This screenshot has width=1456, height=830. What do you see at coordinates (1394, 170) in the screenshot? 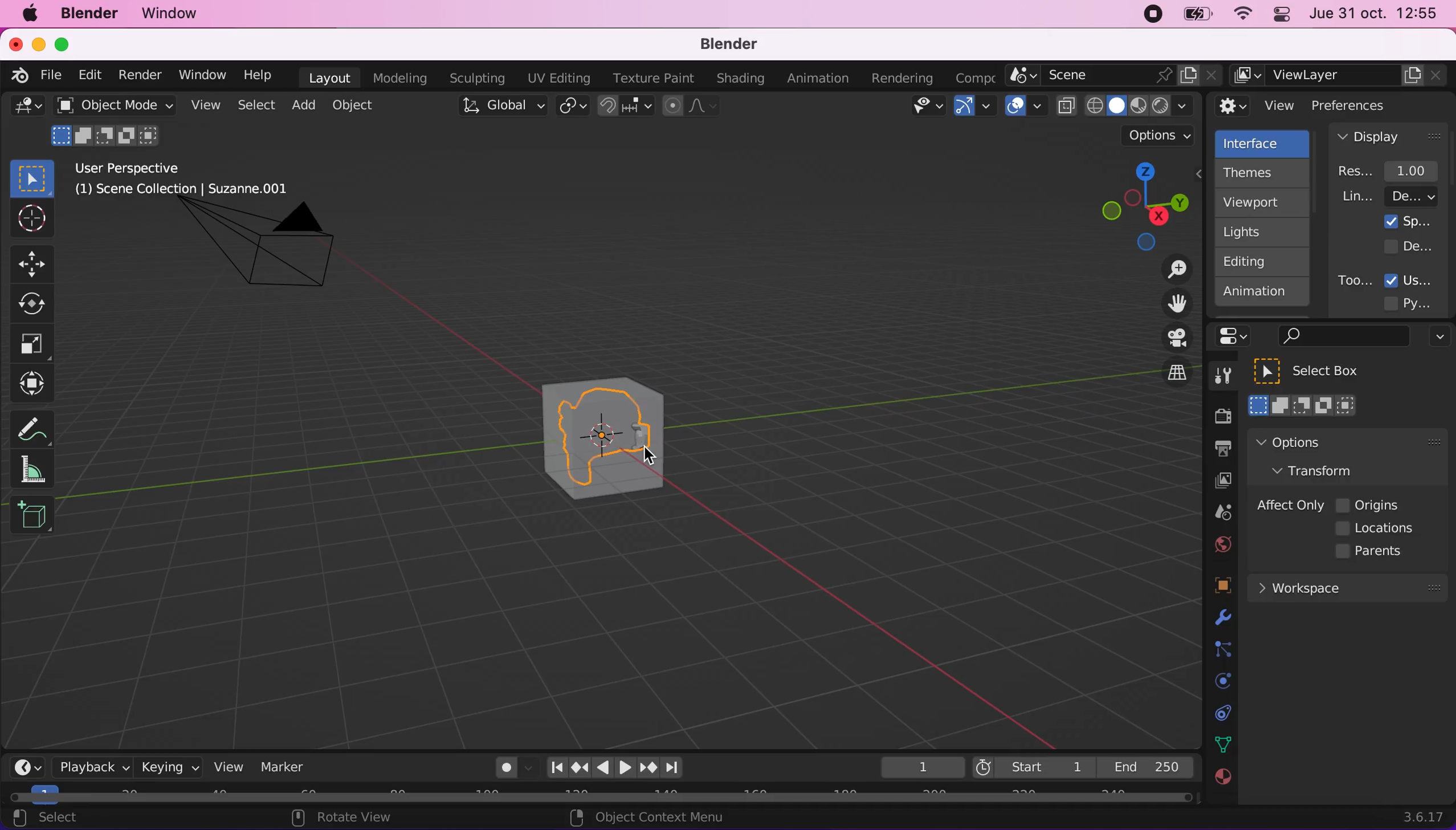
I see `resolution scale` at bounding box center [1394, 170].